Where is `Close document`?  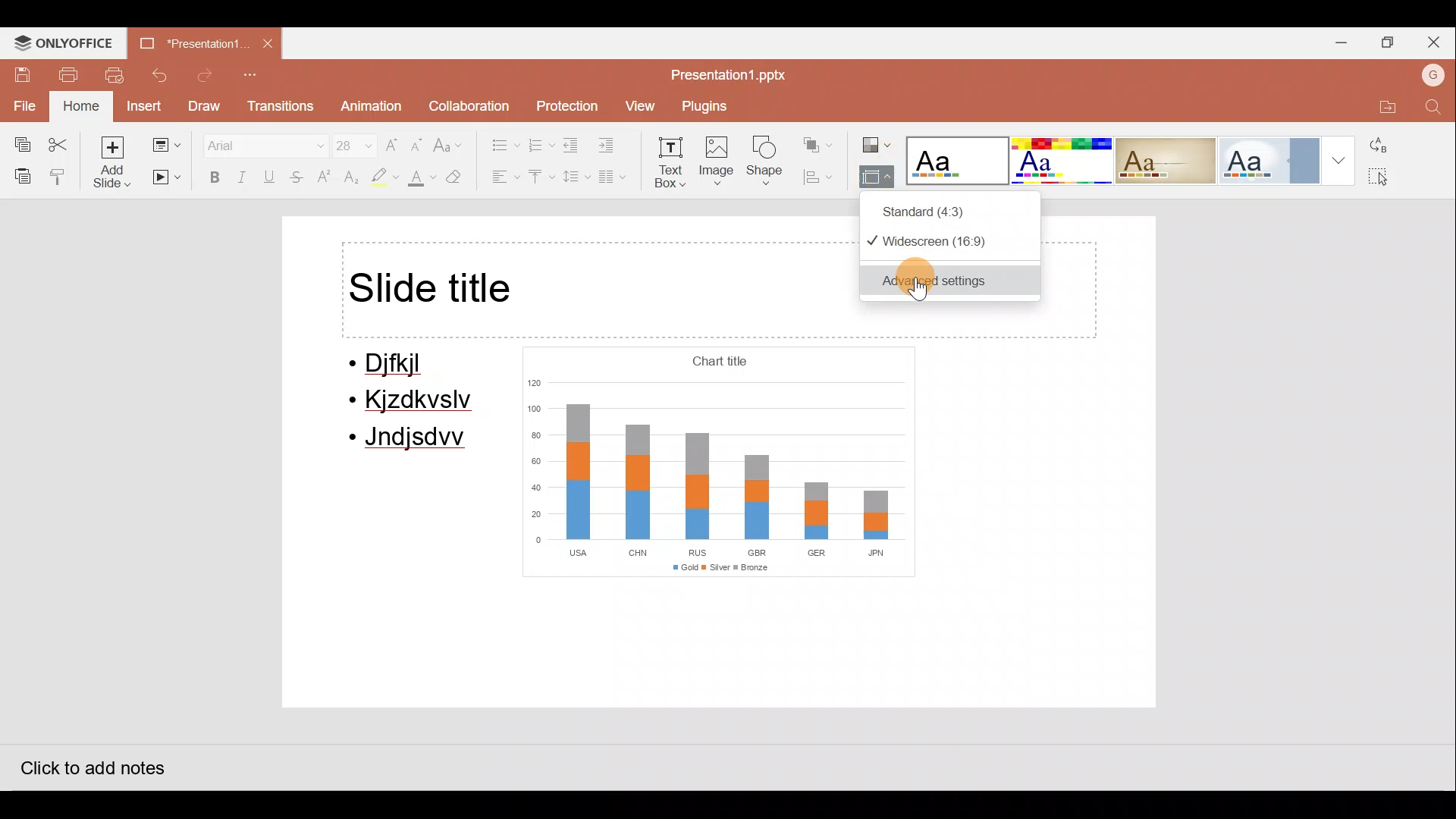
Close document is located at coordinates (269, 45).